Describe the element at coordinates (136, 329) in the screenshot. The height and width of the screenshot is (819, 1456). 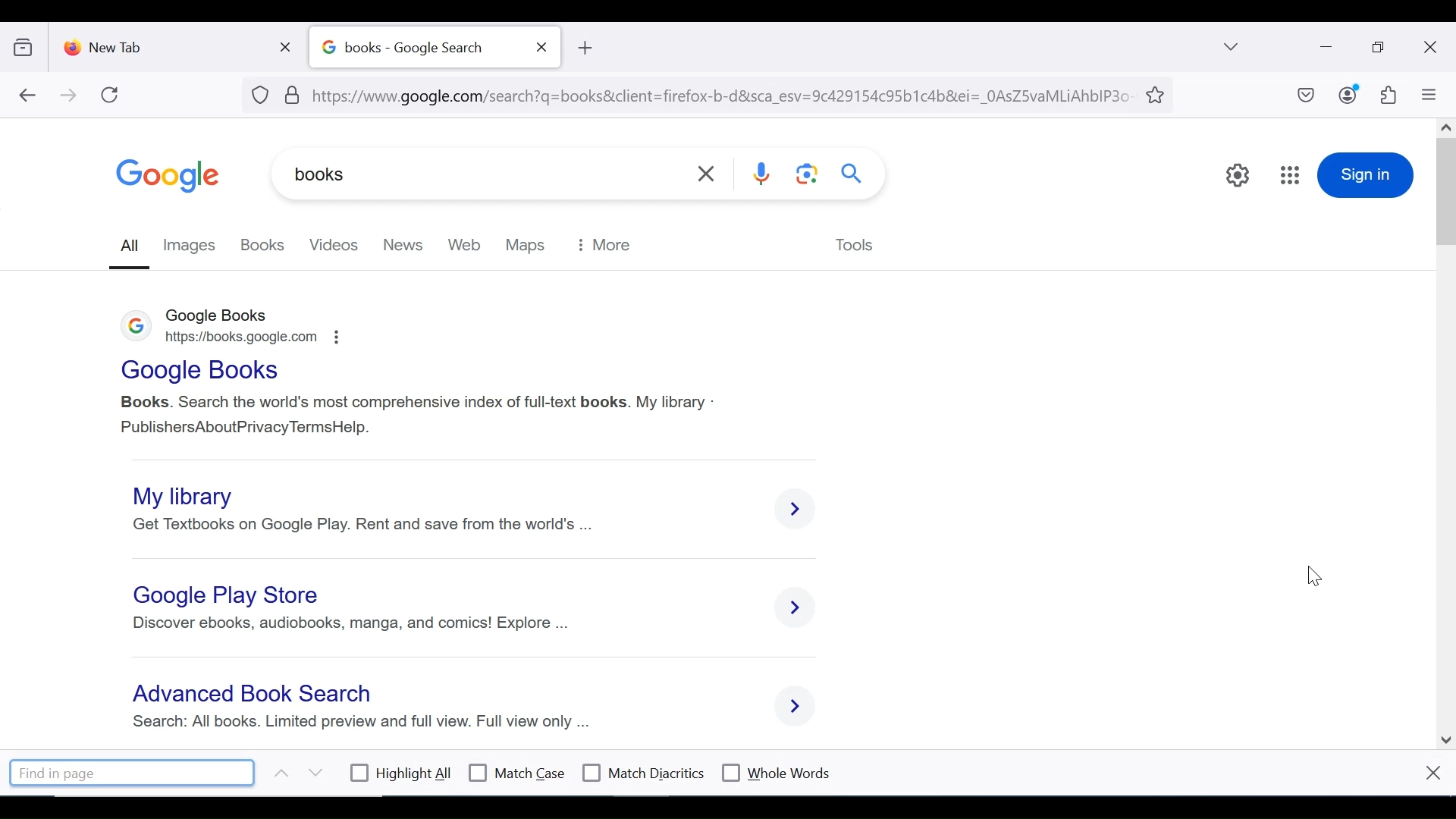
I see `logo` at that location.